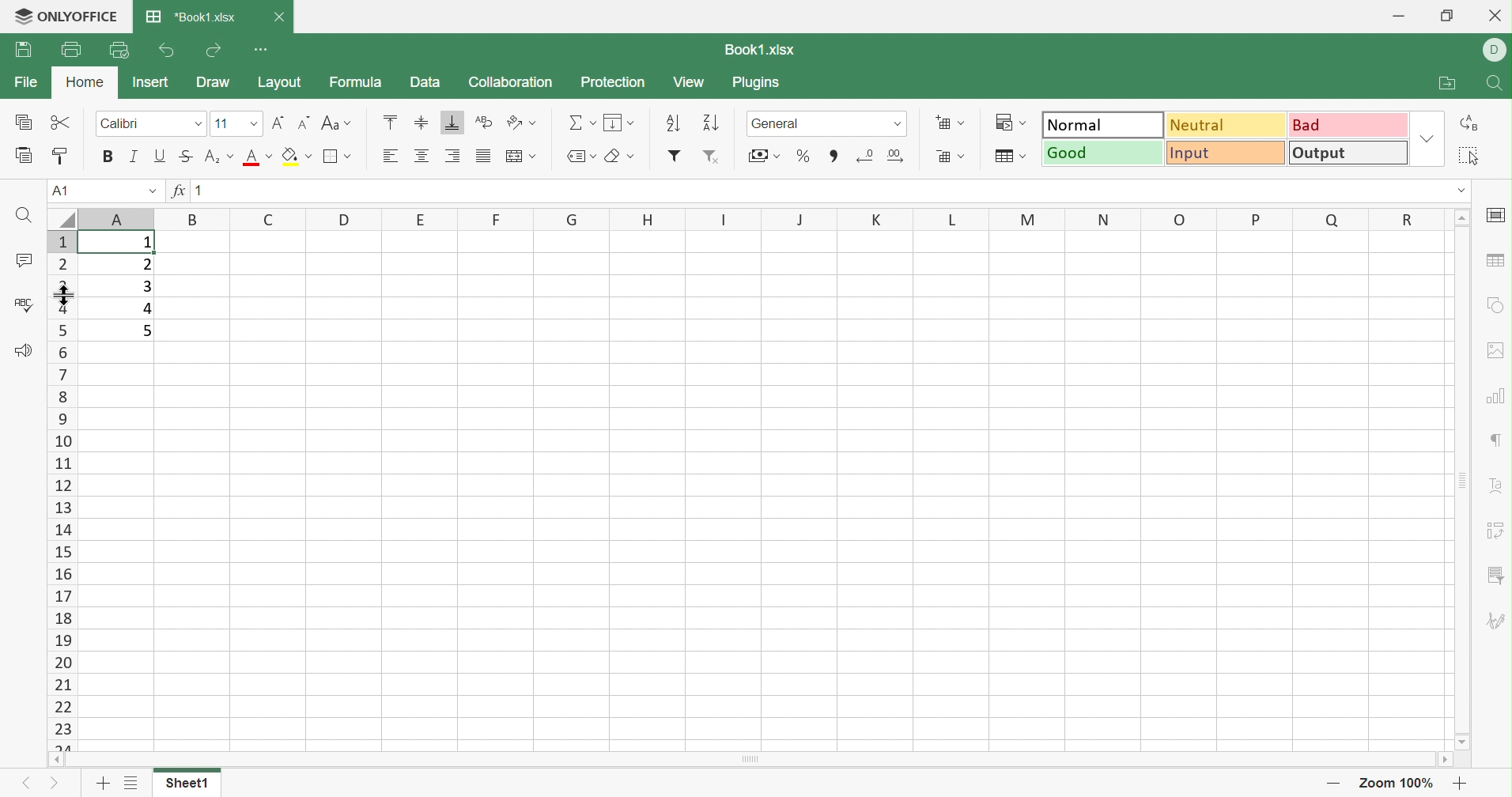 The width and height of the screenshot is (1512, 797). Describe the element at coordinates (123, 253) in the screenshot. I see `cursor` at that location.